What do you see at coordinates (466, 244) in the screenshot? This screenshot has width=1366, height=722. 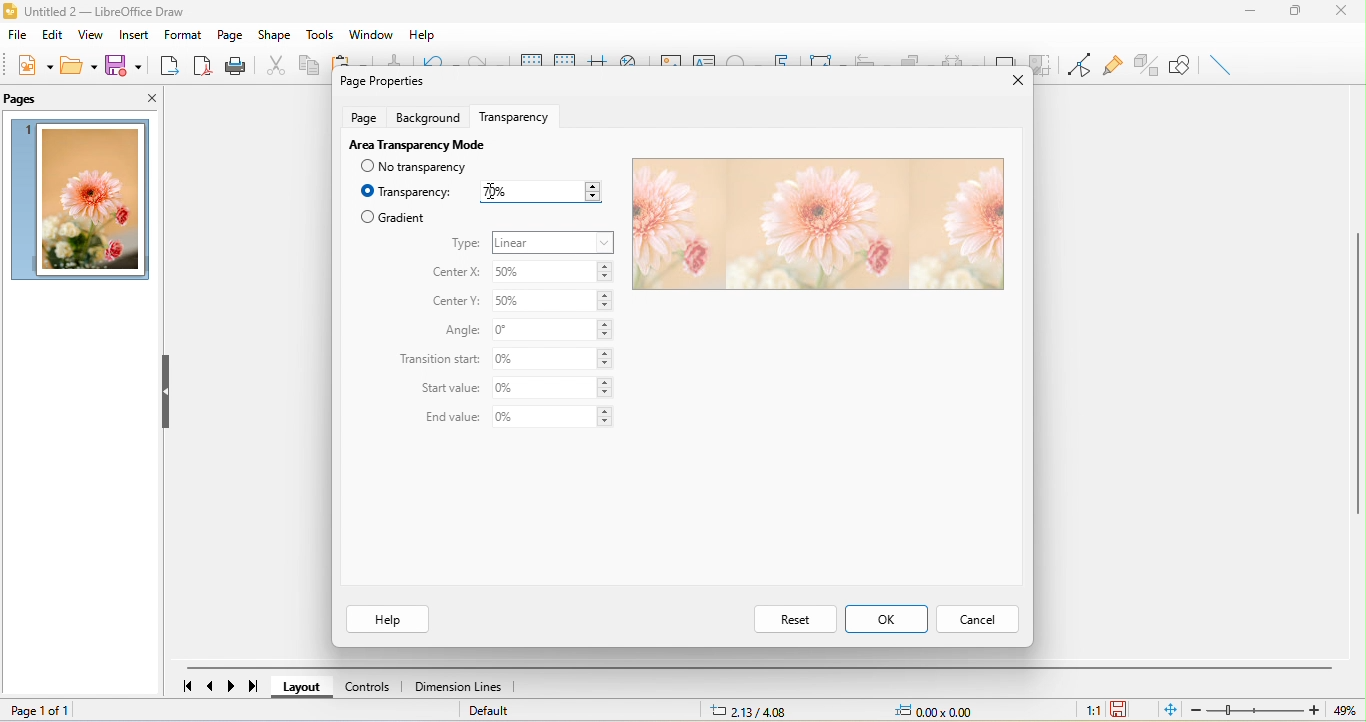 I see `type` at bounding box center [466, 244].